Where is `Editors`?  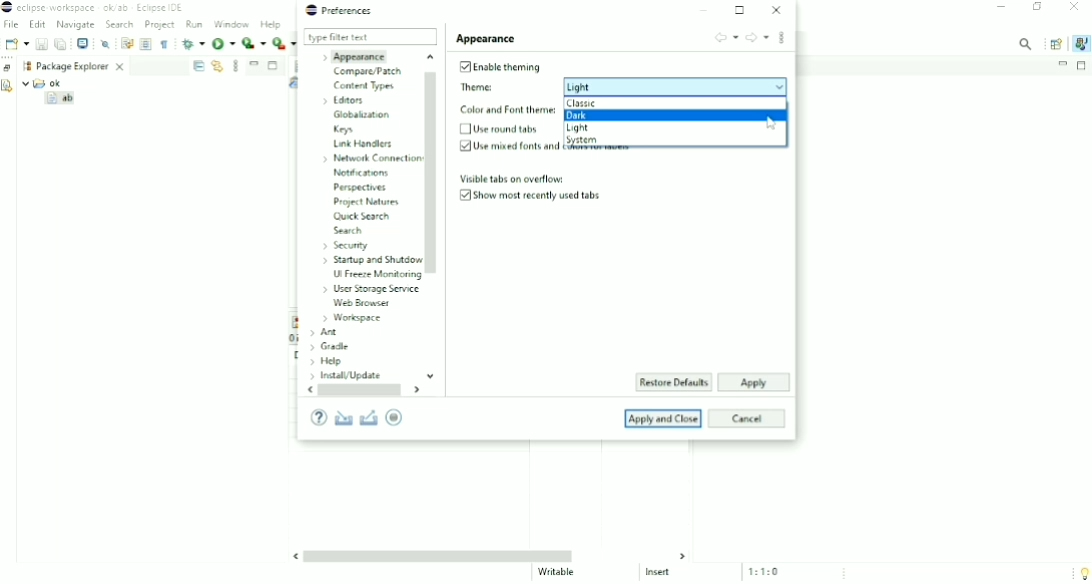
Editors is located at coordinates (346, 100).